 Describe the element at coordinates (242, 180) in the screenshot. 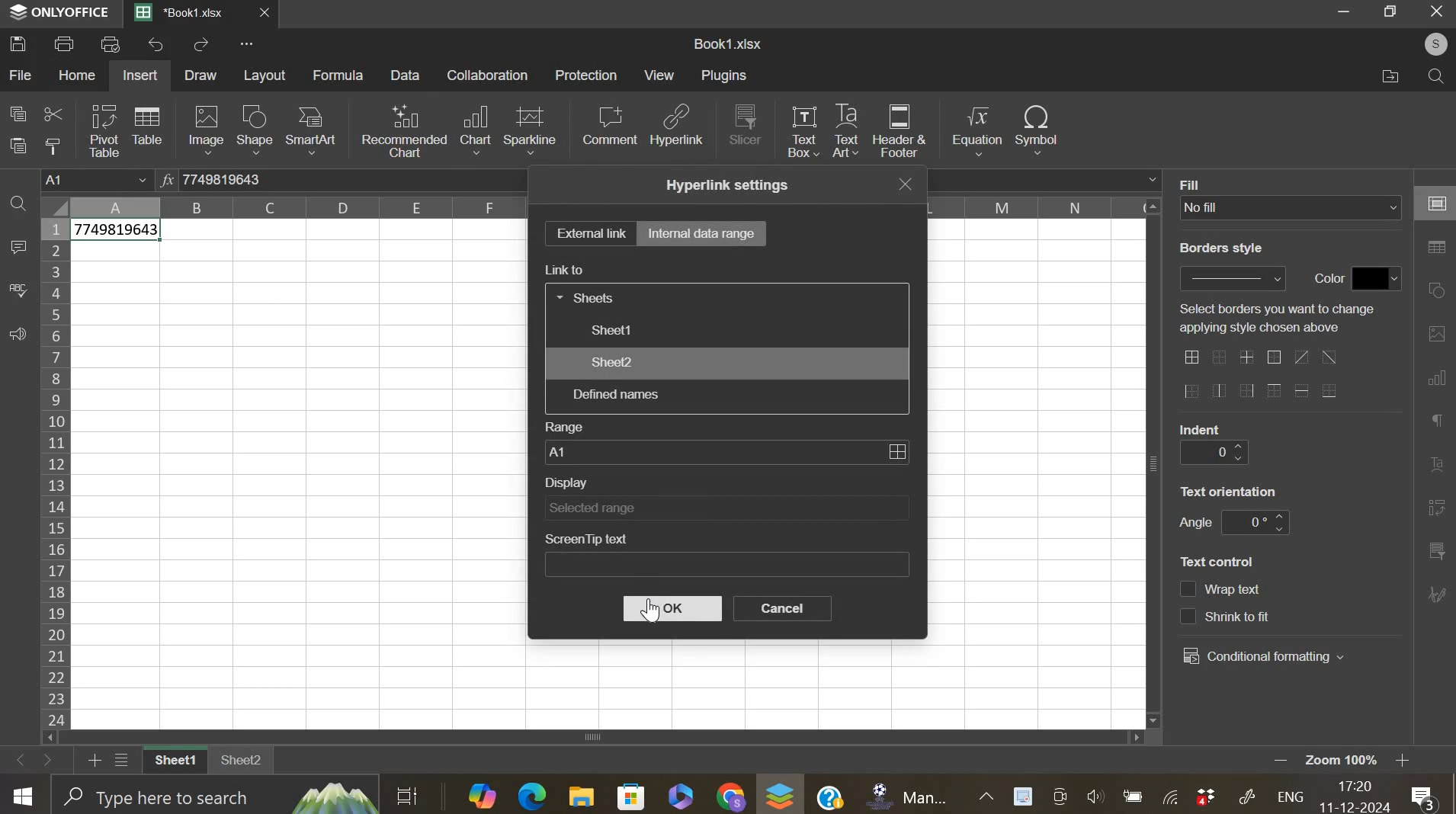

I see `formula bar` at that location.